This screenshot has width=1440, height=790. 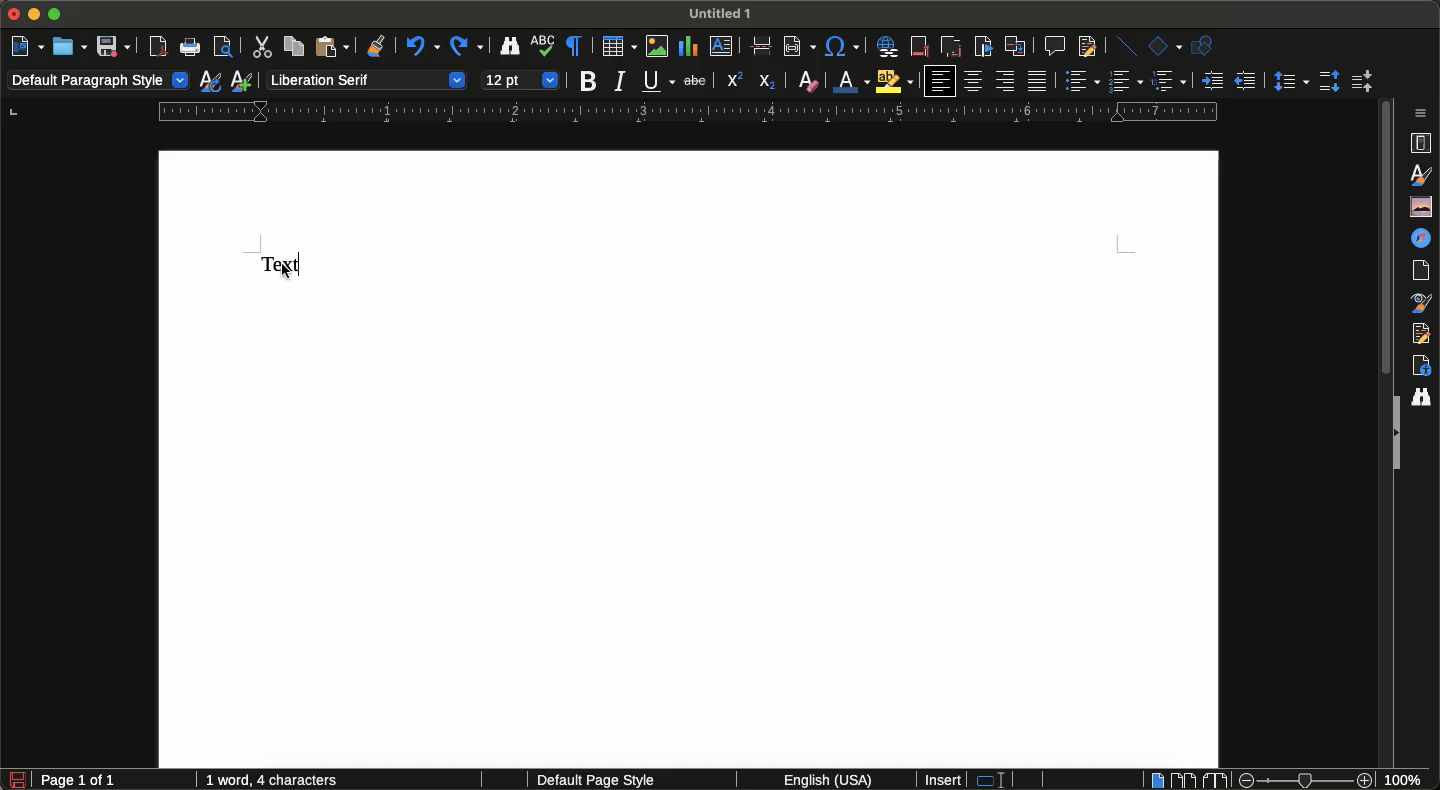 What do you see at coordinates (887, 48) in the screenshot?
I see `Insert hyperlink` at bounding box center [887, 48].